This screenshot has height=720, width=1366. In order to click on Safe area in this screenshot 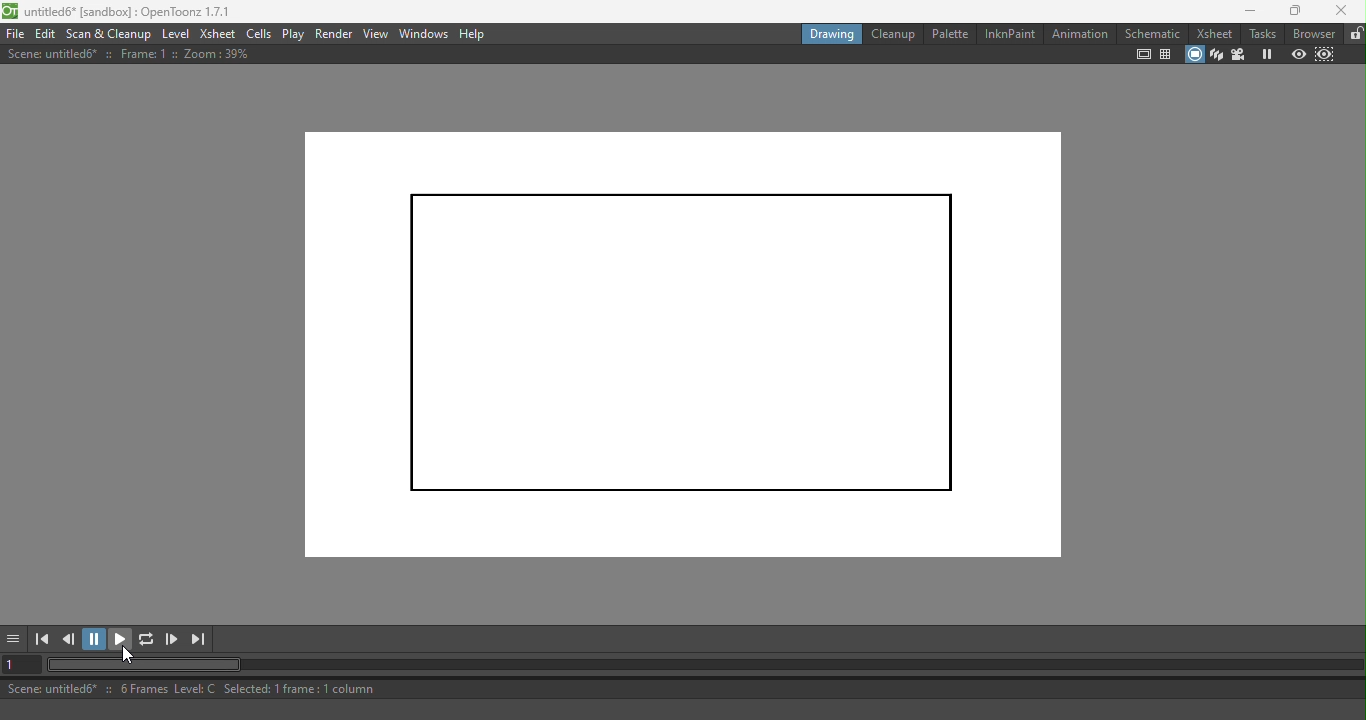, I will do `click(1142, 55)`.